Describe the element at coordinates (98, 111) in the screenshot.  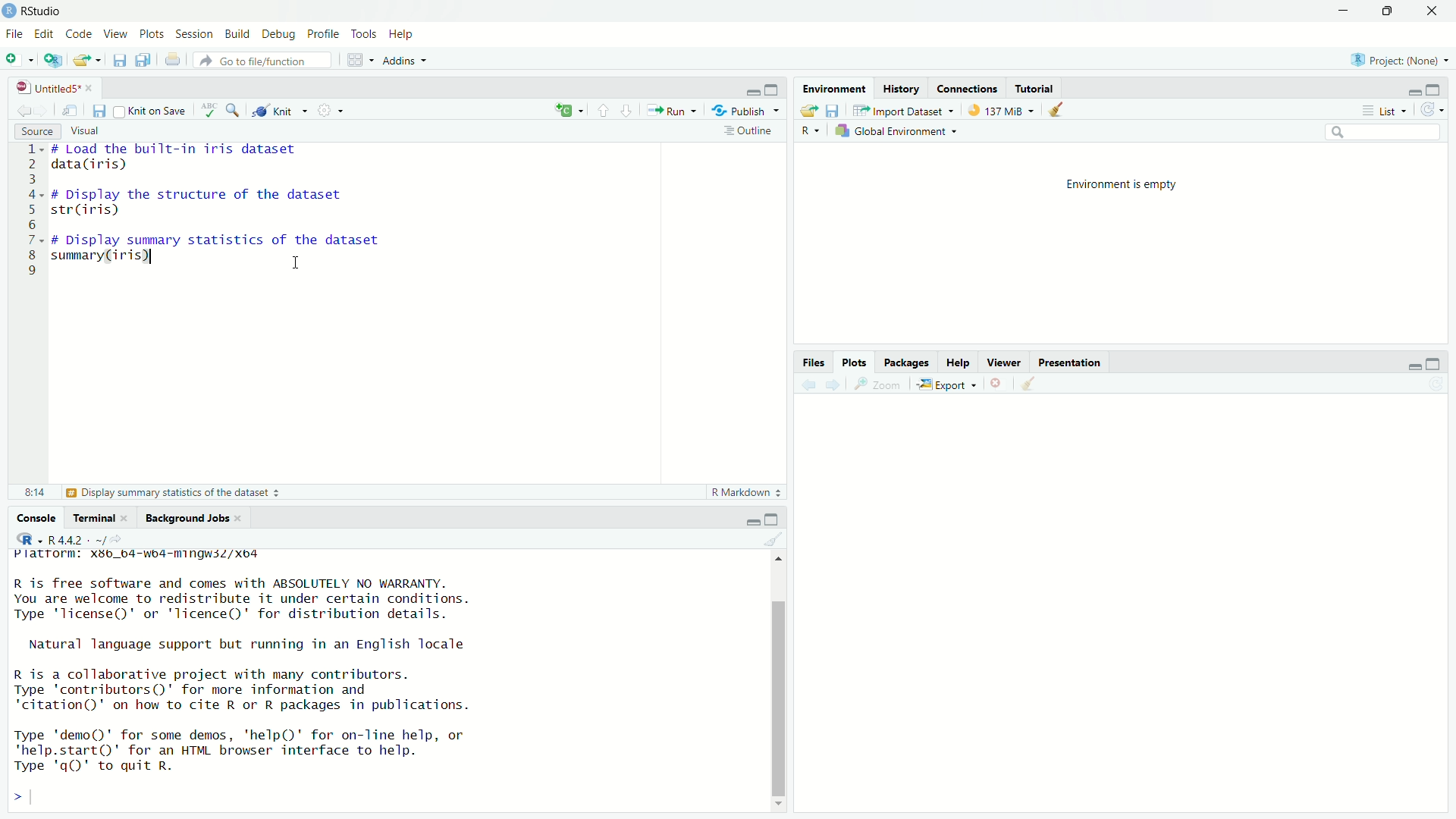
I see `Save` at that location.